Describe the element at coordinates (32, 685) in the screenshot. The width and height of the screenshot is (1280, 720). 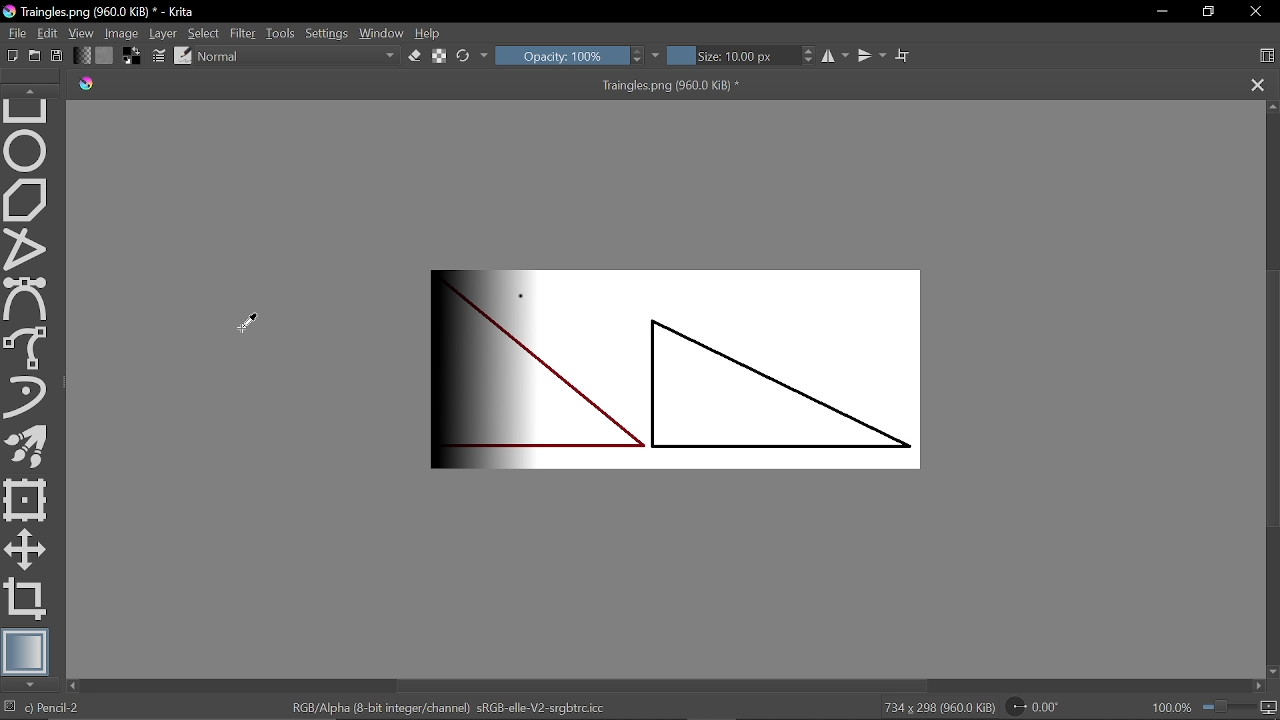
I see `Move down in tools` at that location.